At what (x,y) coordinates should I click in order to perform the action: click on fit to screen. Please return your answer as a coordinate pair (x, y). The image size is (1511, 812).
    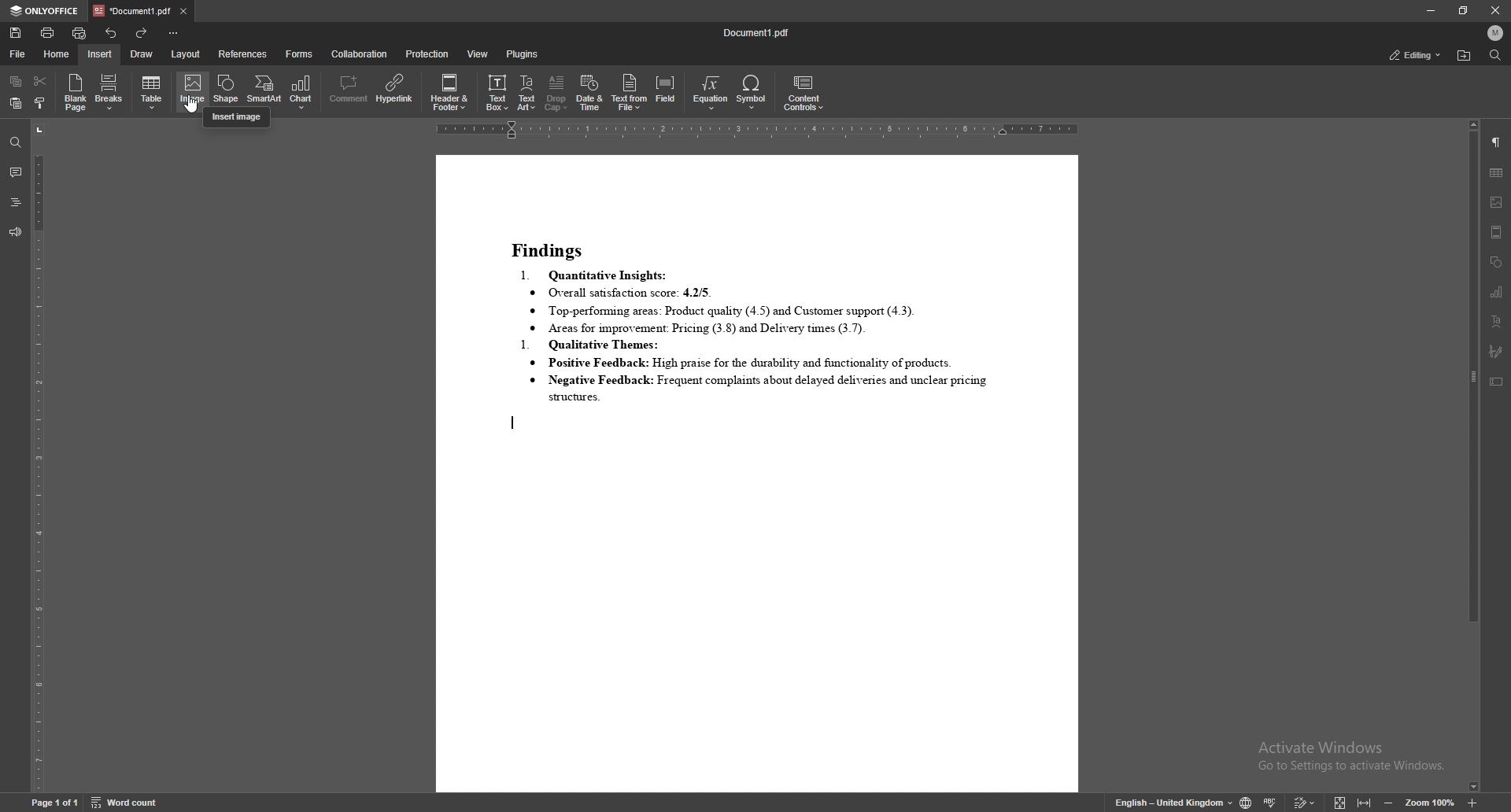
    Looking at the image, I should click on (1340, 802).